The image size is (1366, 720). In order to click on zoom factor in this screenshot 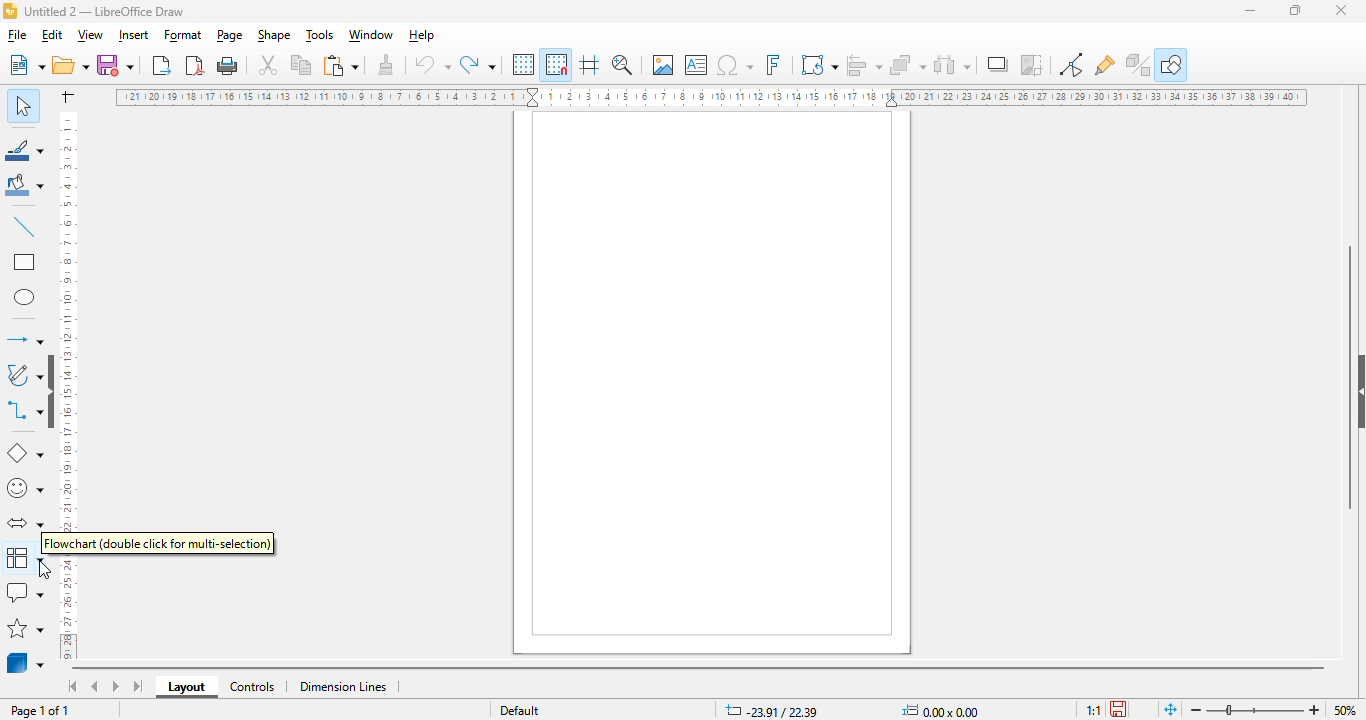, I will do `click(1346, 709)`.